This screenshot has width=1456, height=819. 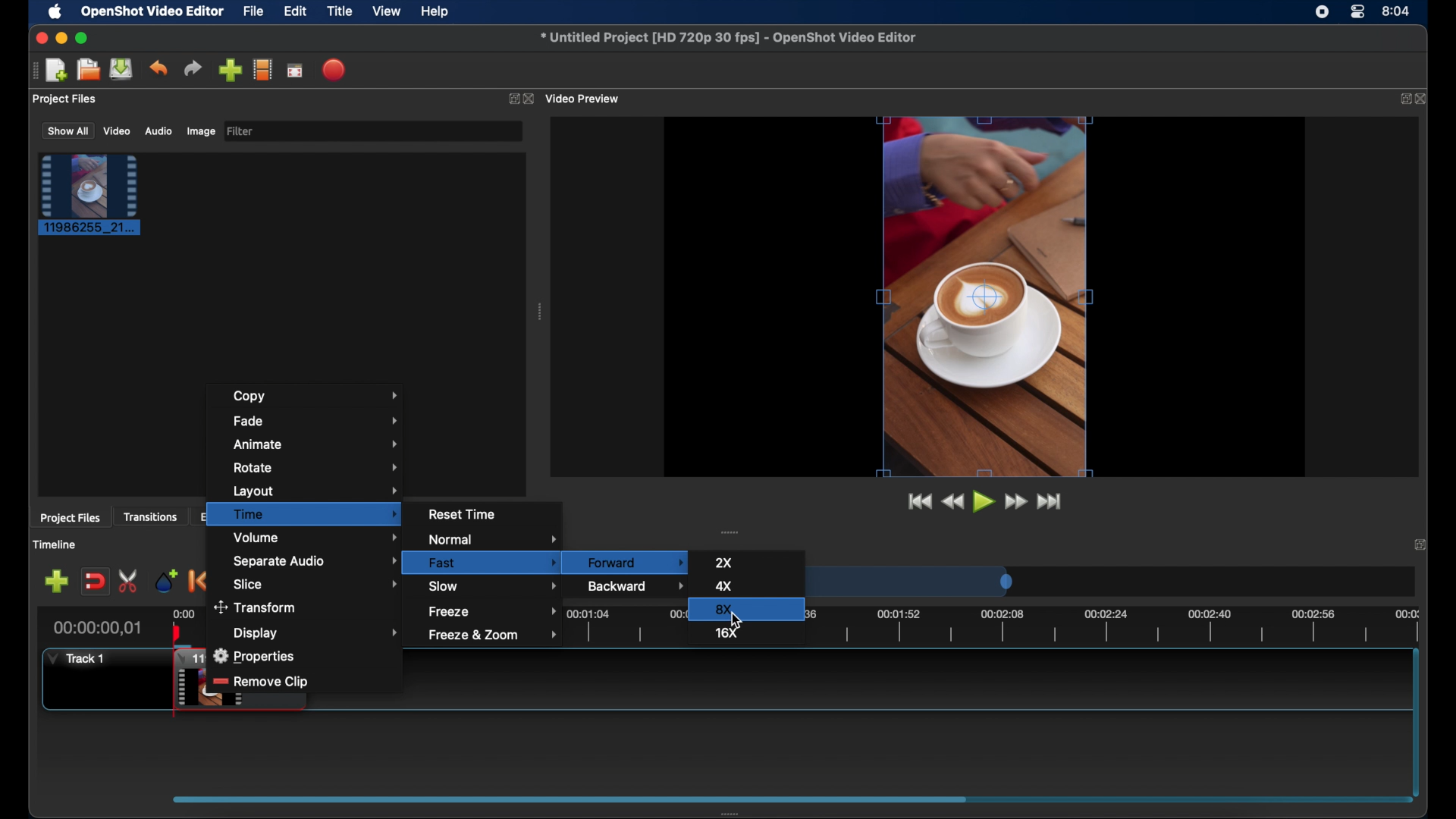 What do you see at coordinates (118, 131) in the screenshot?
I see `video` at bounding box center [118, 131].